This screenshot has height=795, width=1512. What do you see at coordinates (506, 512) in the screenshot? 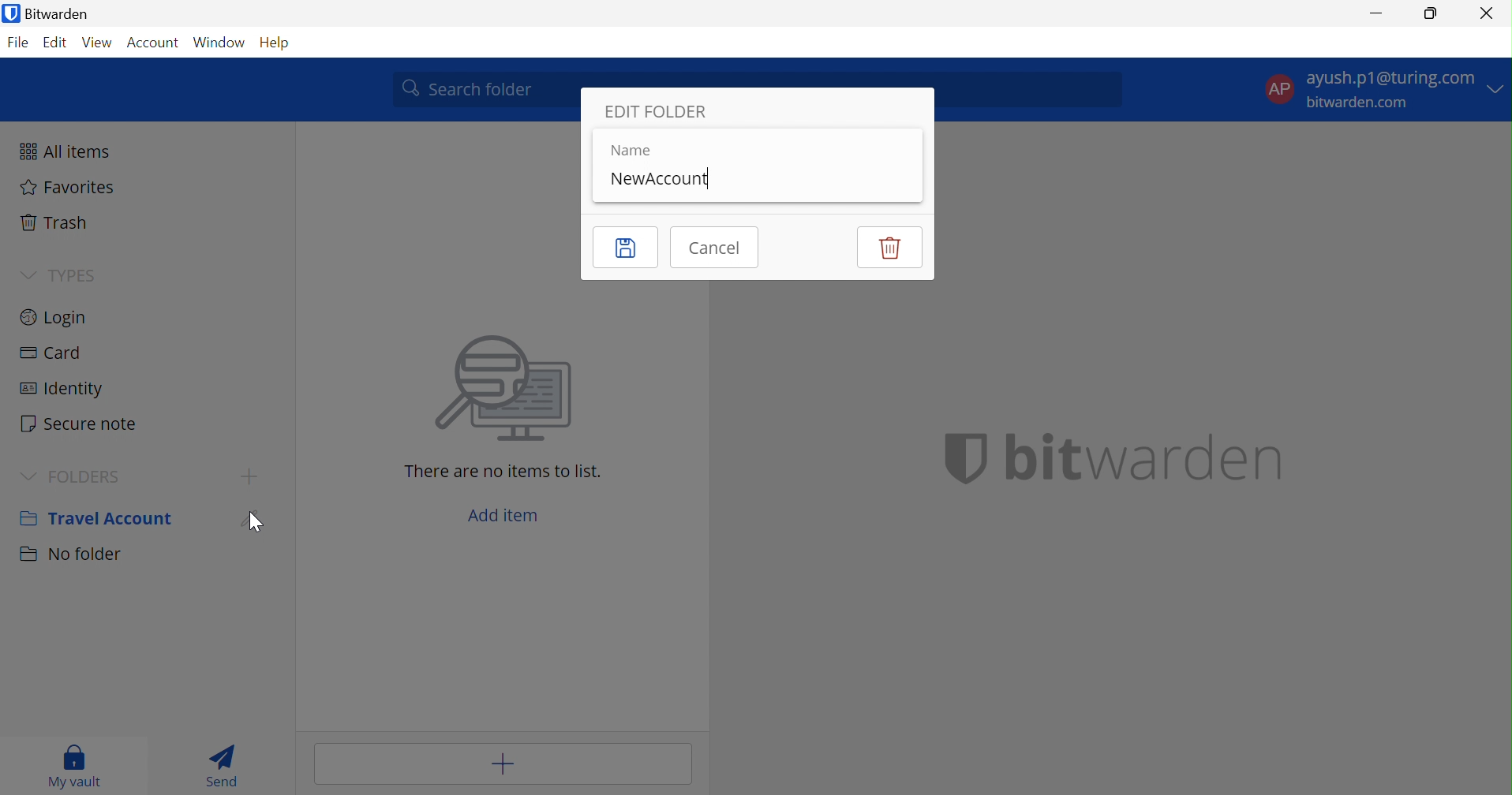
I see `Add item` at bounding box center [506, 512].